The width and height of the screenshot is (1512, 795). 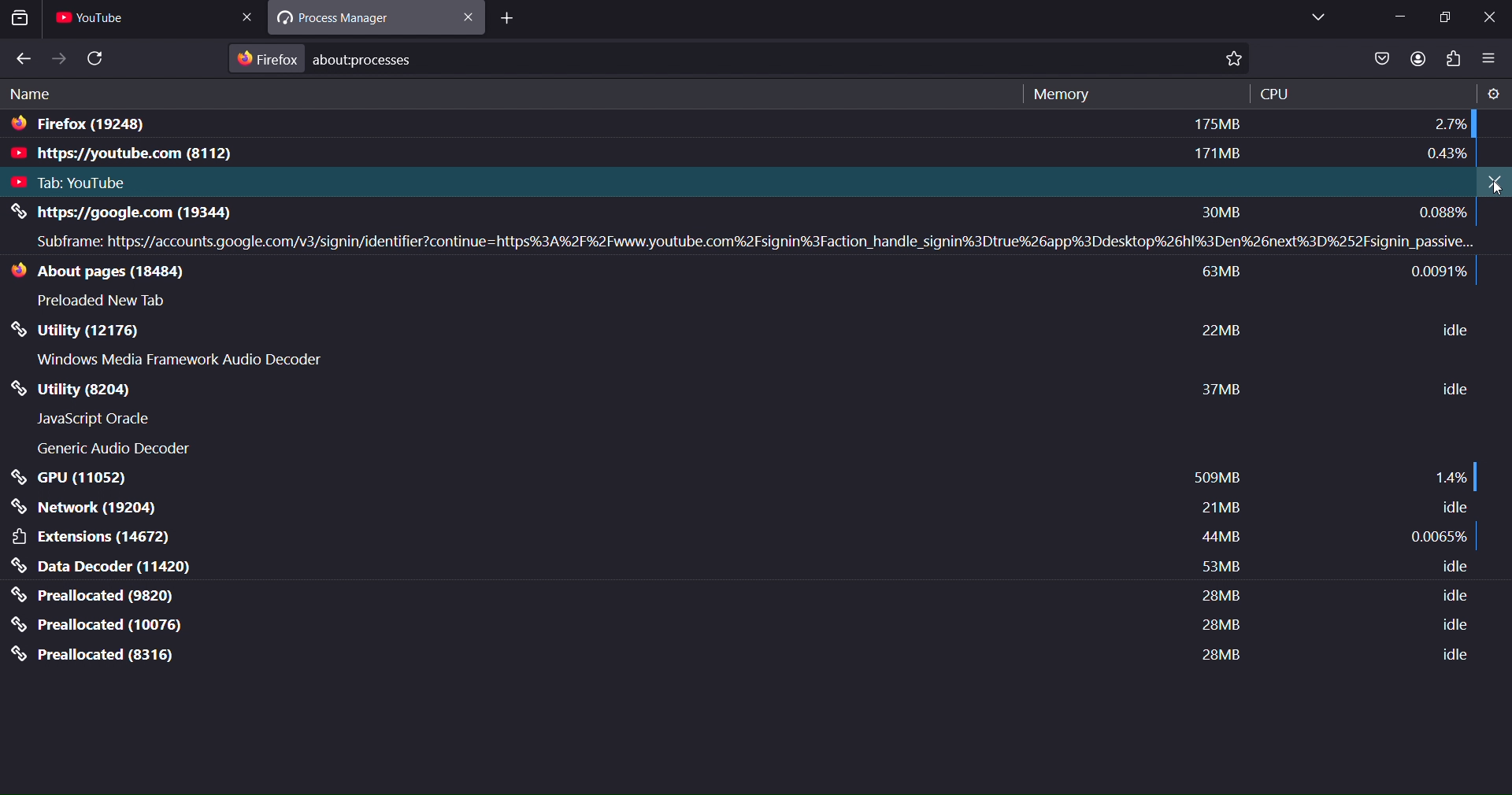 I want to click on GPU, so click(x=74, y=478).